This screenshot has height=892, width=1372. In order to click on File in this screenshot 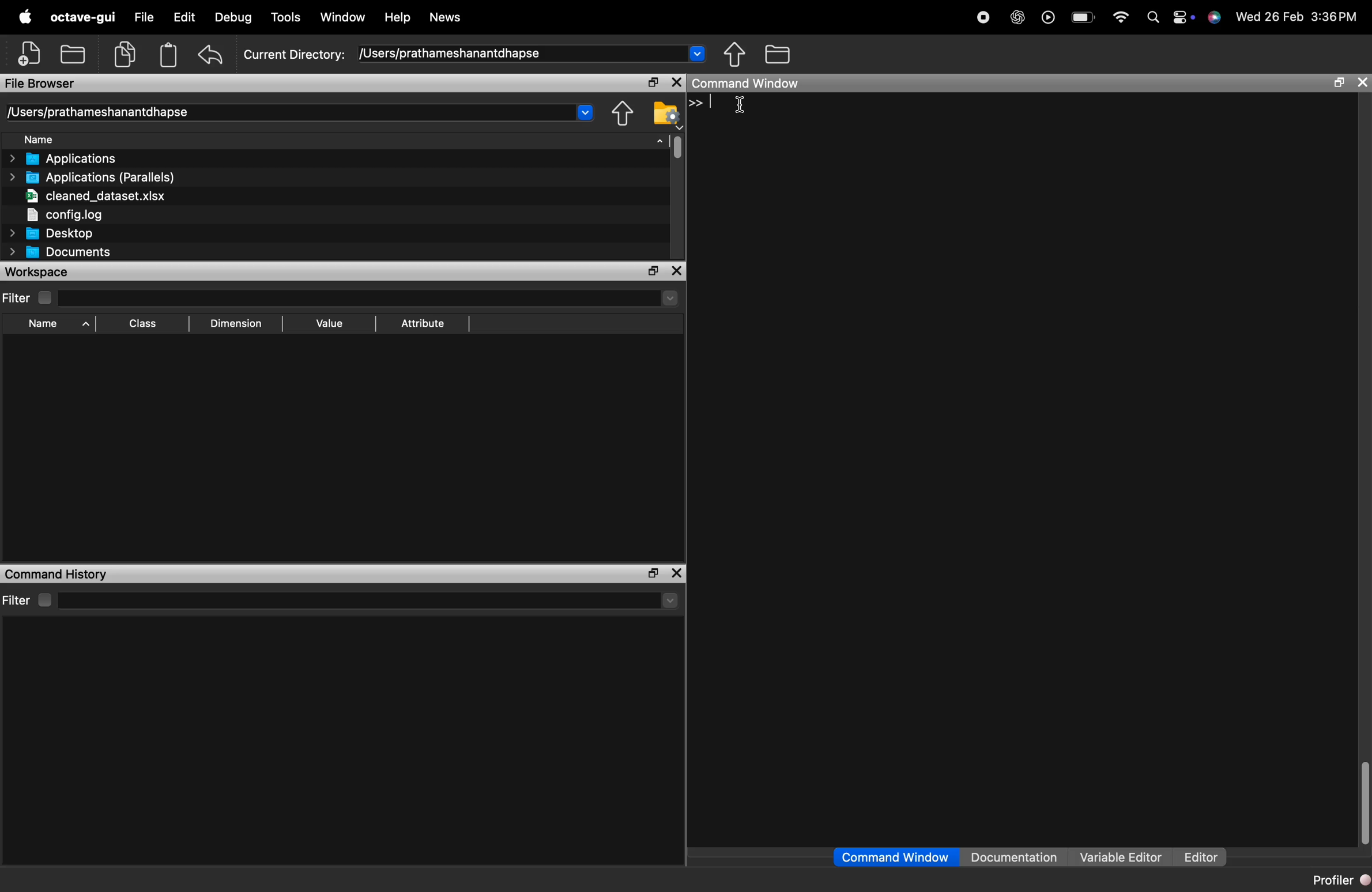, I will do `click(144, 17)`.